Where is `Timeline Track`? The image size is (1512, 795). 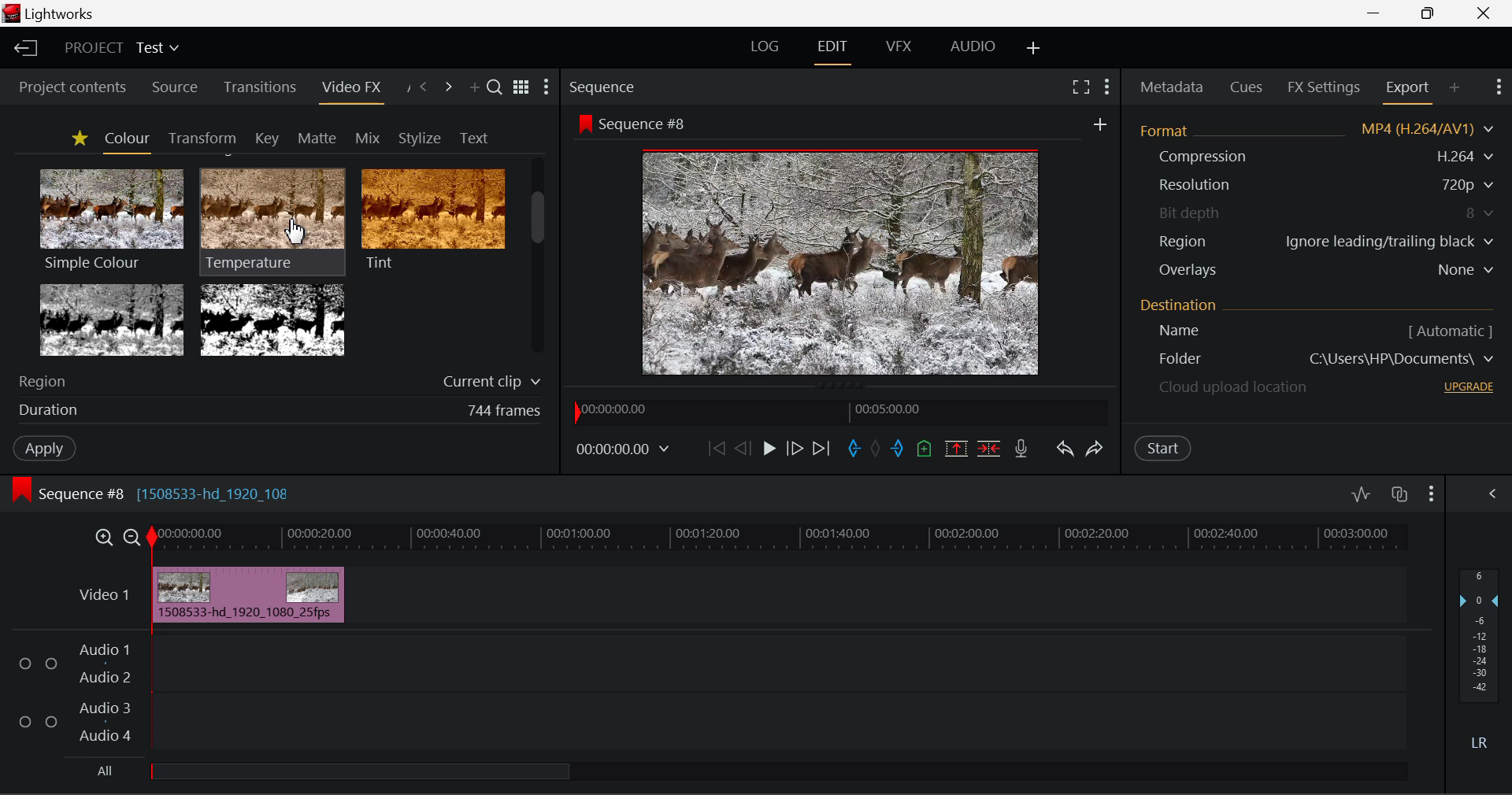 Timeline Track is located at coordinates (781, 538).